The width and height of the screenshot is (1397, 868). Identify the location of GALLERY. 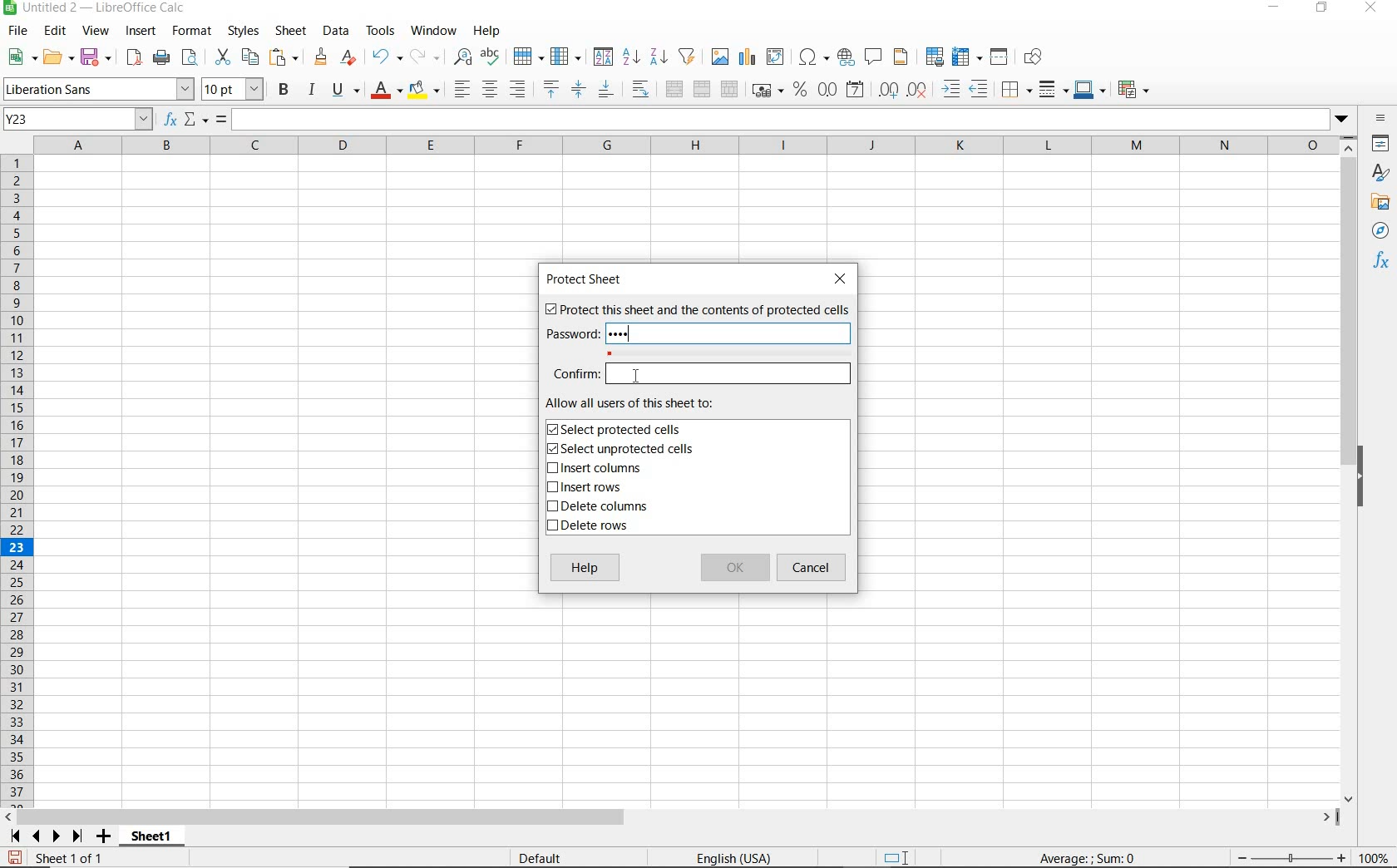
(1380, 205).